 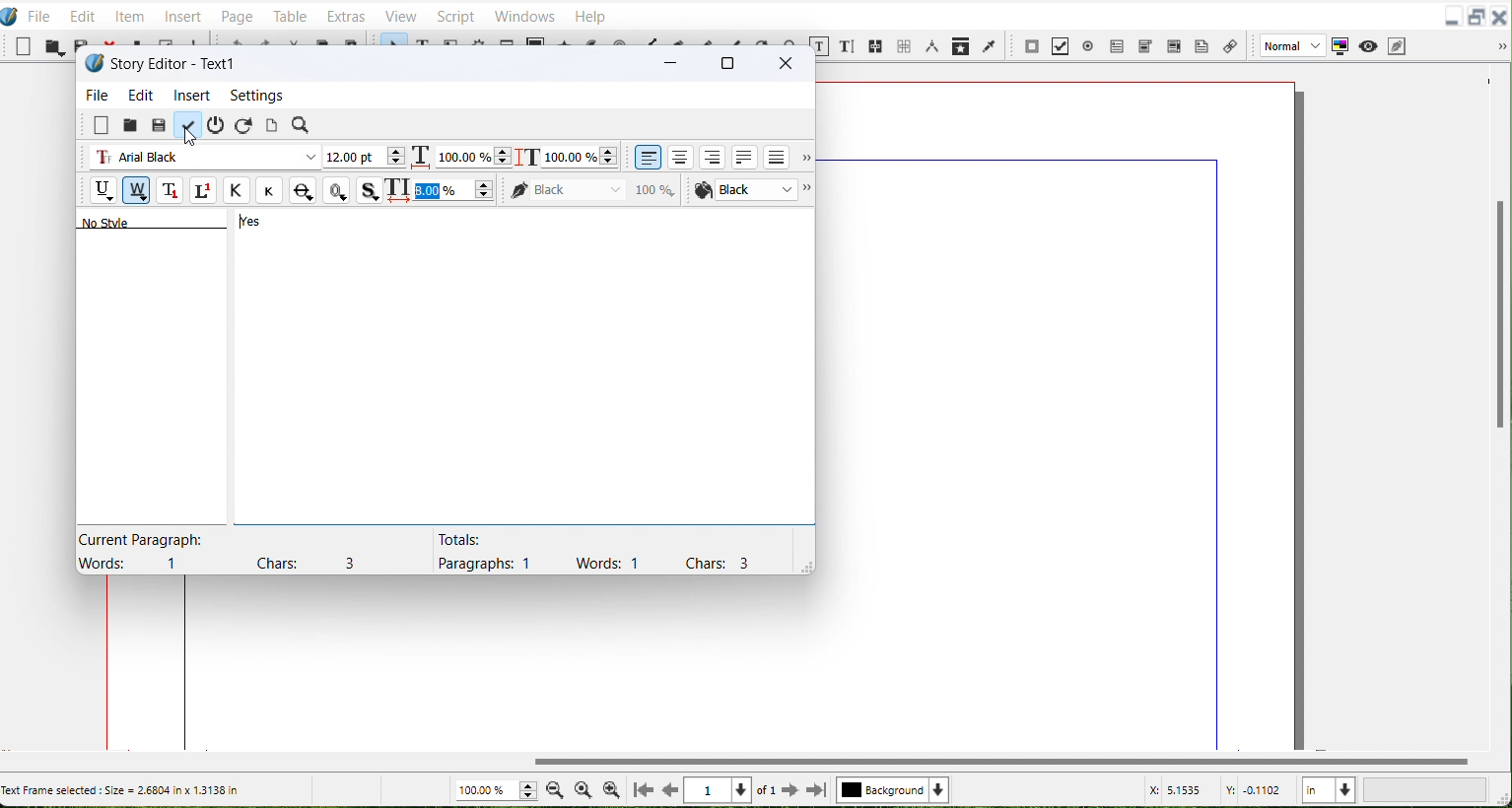 What do you see at coordinates (447, 552) in the screenshot?
I see `Text` at bounding box center [447, 552].